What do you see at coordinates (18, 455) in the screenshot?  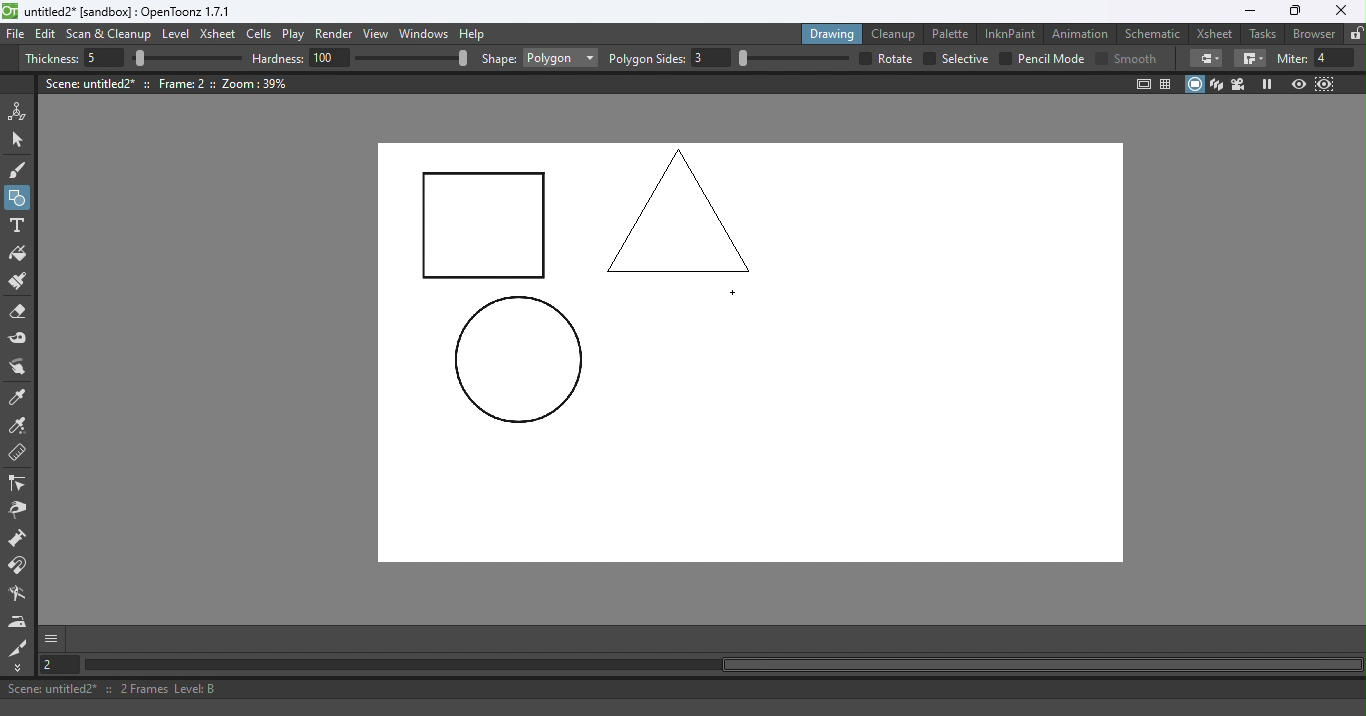 I see `Ruler tool` at bounding box center [18, 455].